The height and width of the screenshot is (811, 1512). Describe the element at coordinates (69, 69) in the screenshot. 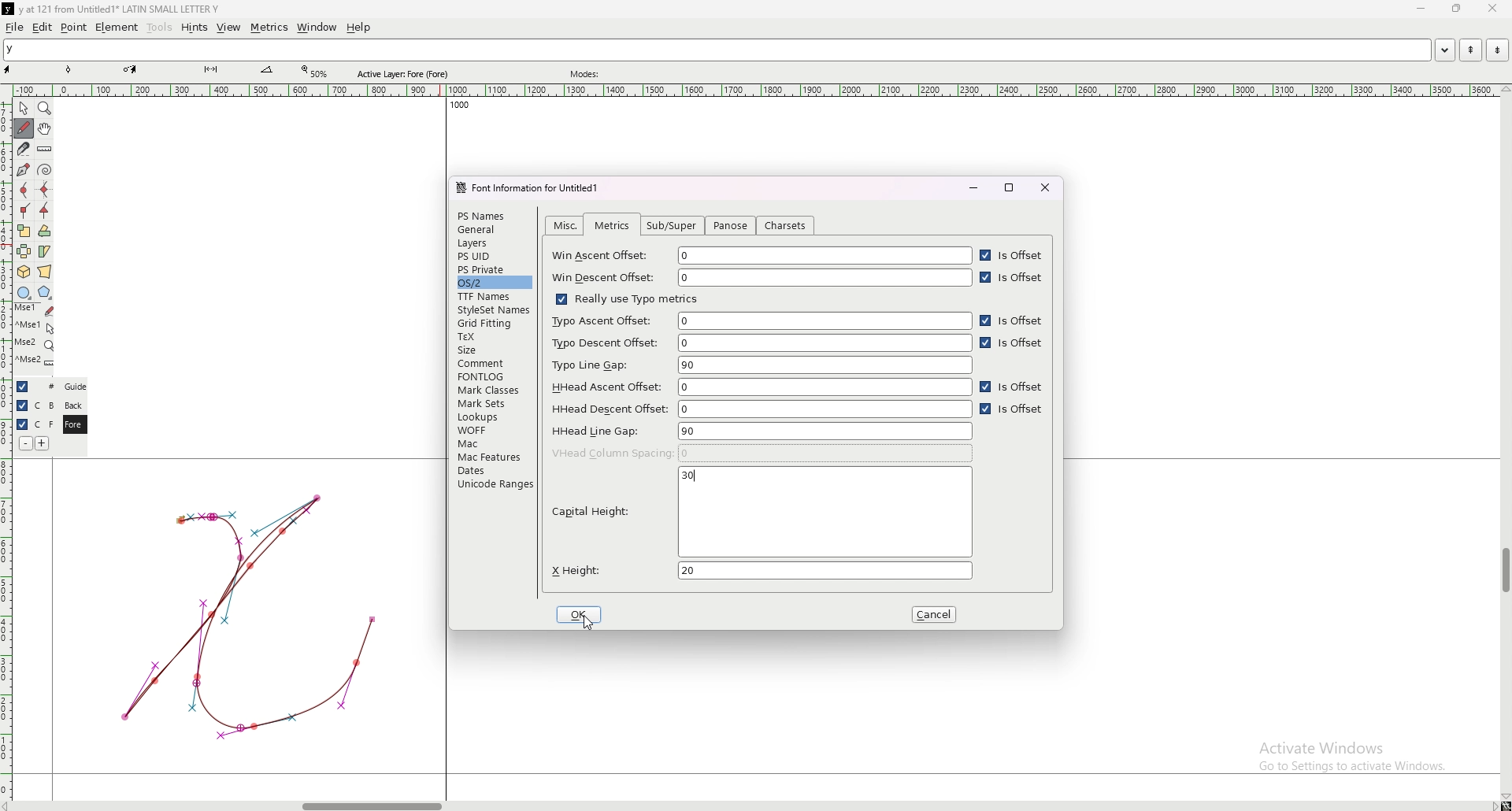

I see `point tool` at that location.